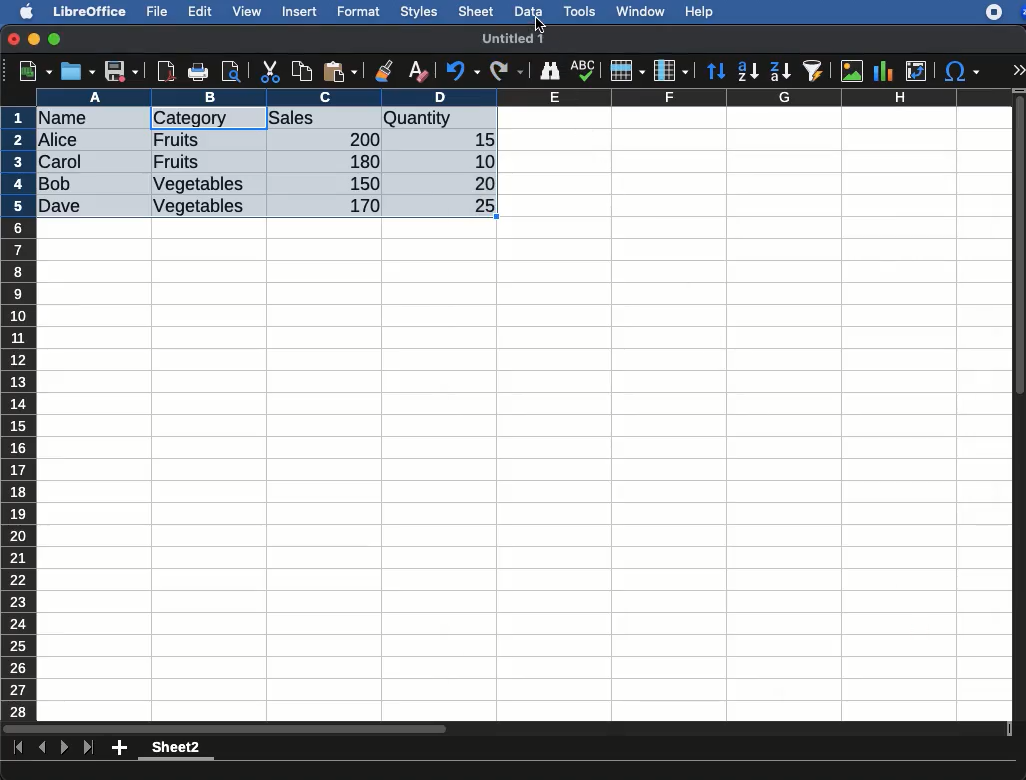 The width and height of the screenshot is (1026, 780). Describe the element at coordinates (528, 9) in the screenshot. I see `data` at that location.